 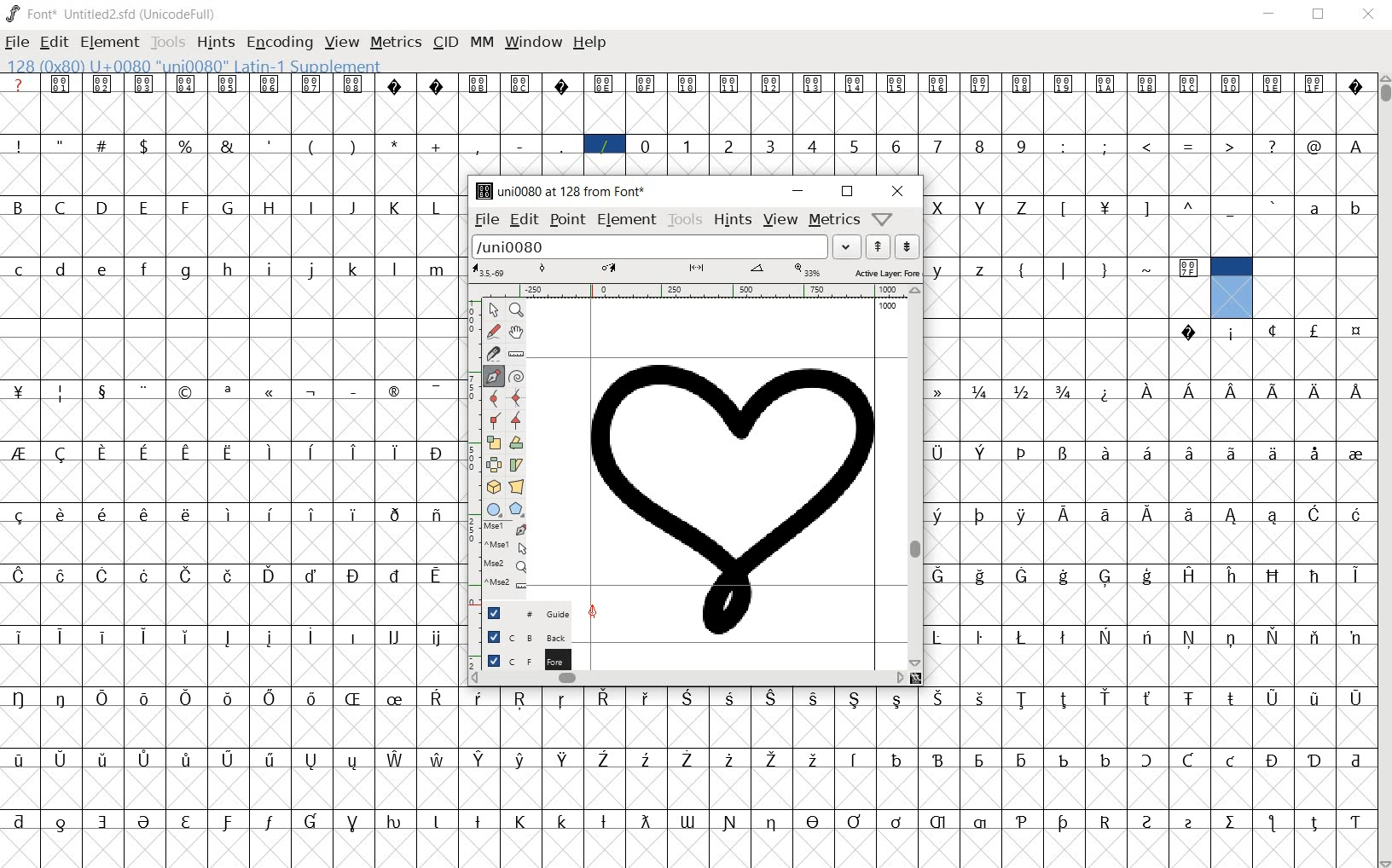 What do you see at coordinates (520, 612) in the screenshot?
I see `Guide` at bounding box center [520, 612].